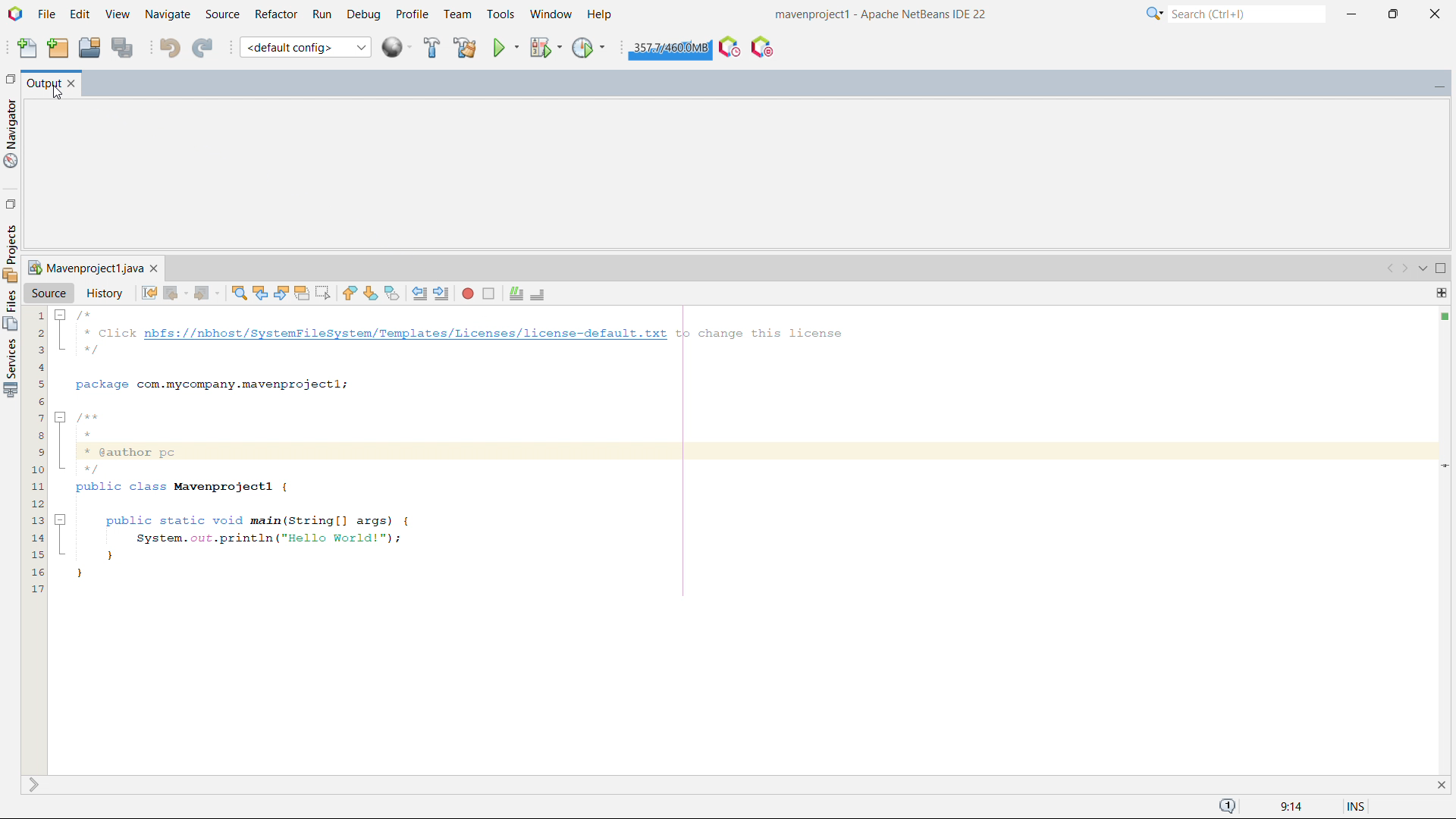 The width and height of the screenshot is (1456, 819). I want to click on profile, so click(412, 15).